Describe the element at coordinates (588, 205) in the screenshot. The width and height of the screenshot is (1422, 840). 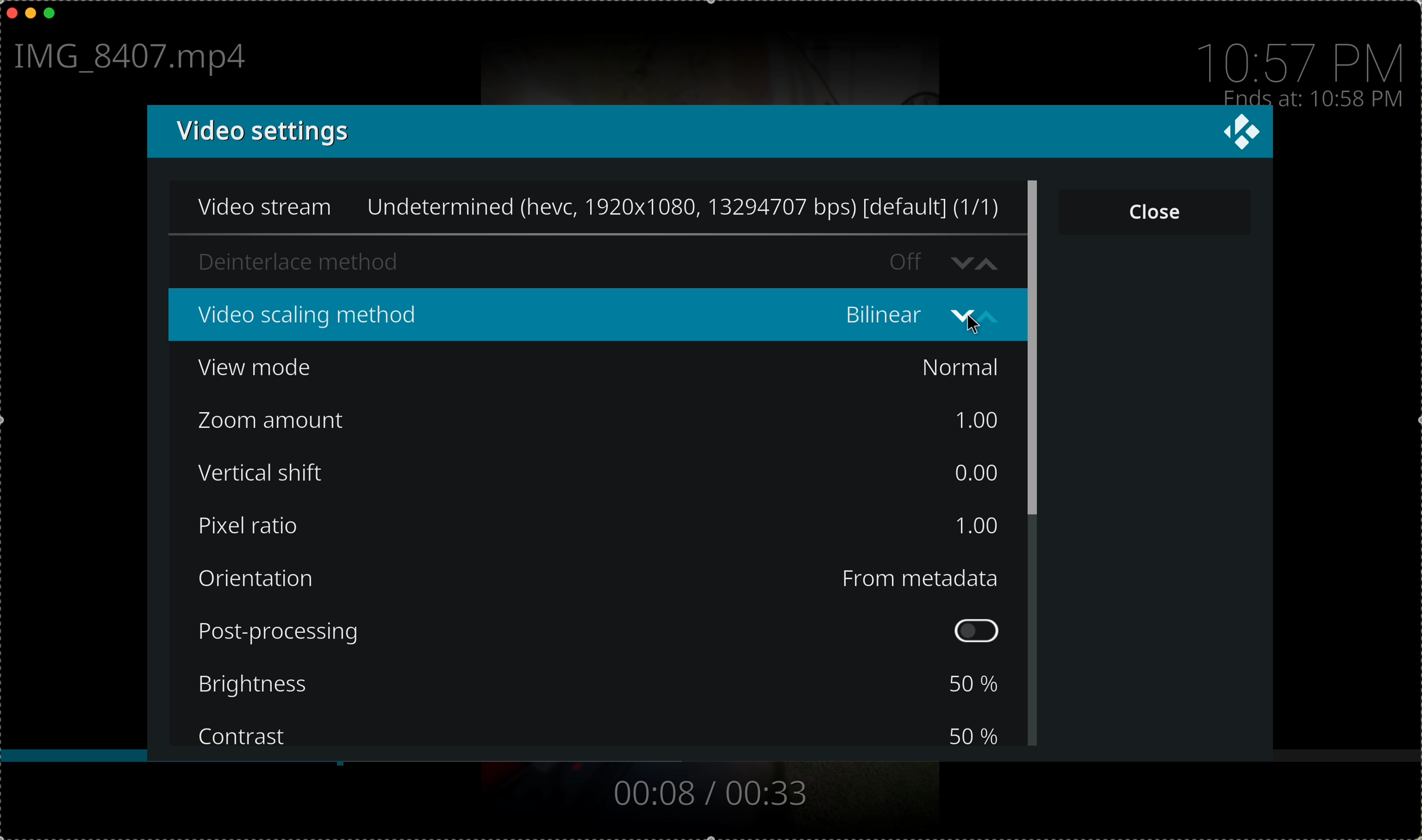
I see `Video stream Undetermined (hevc, 1920x1080, 13294707 bps) [default] (1/1)` at that location.